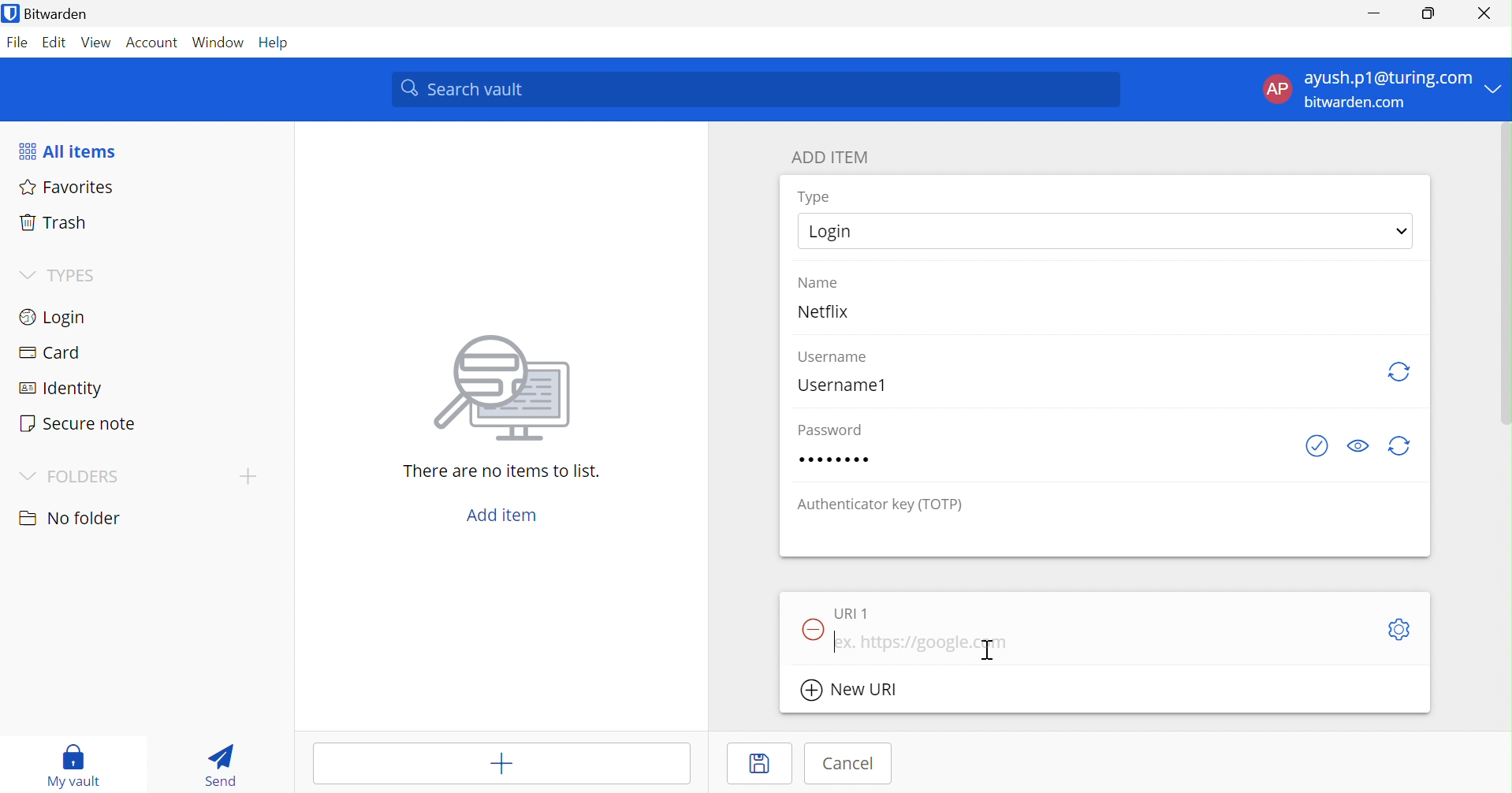 The image size is (1512, 793). What do you see at coordinates (923, 642) in the screenshot?
I see `ex. https://google.com` at bounding box center [923, 642].